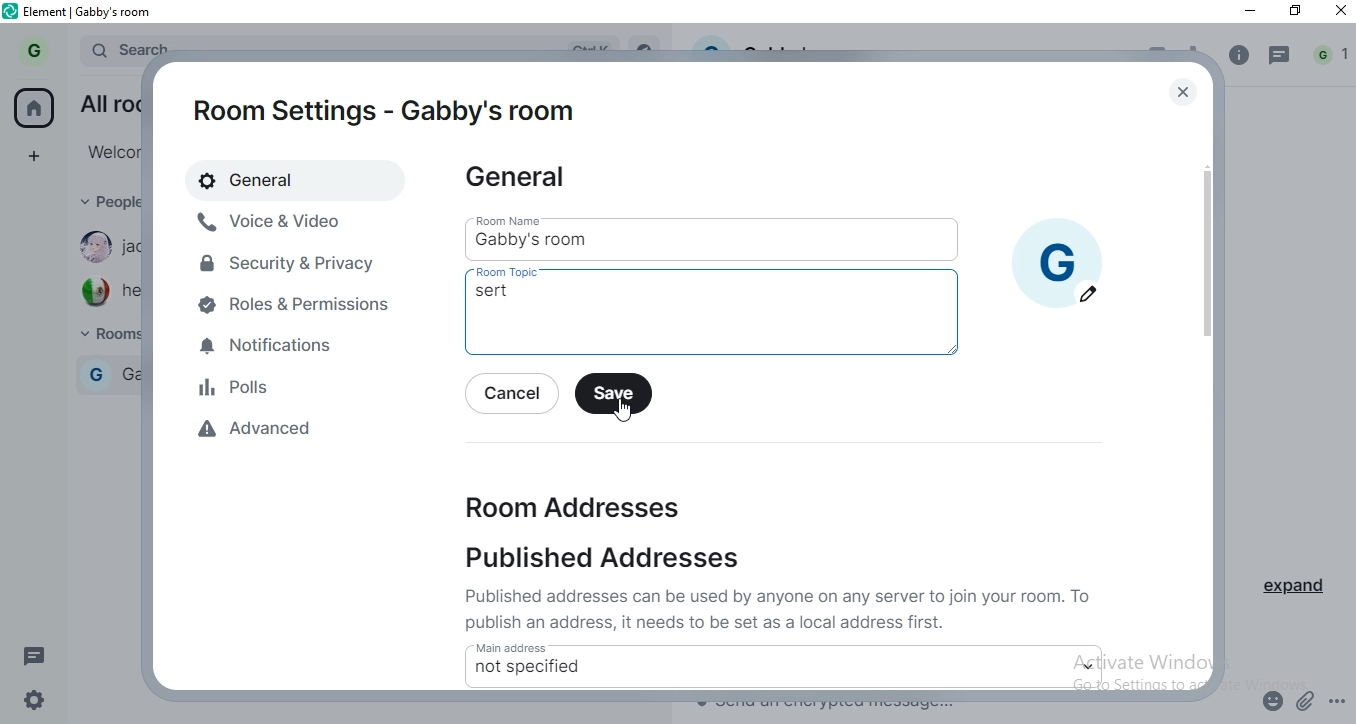  What do you see at coordinates (1302, 591) in the screenshot?
I see `expand` at bounding box center [1302, 591].